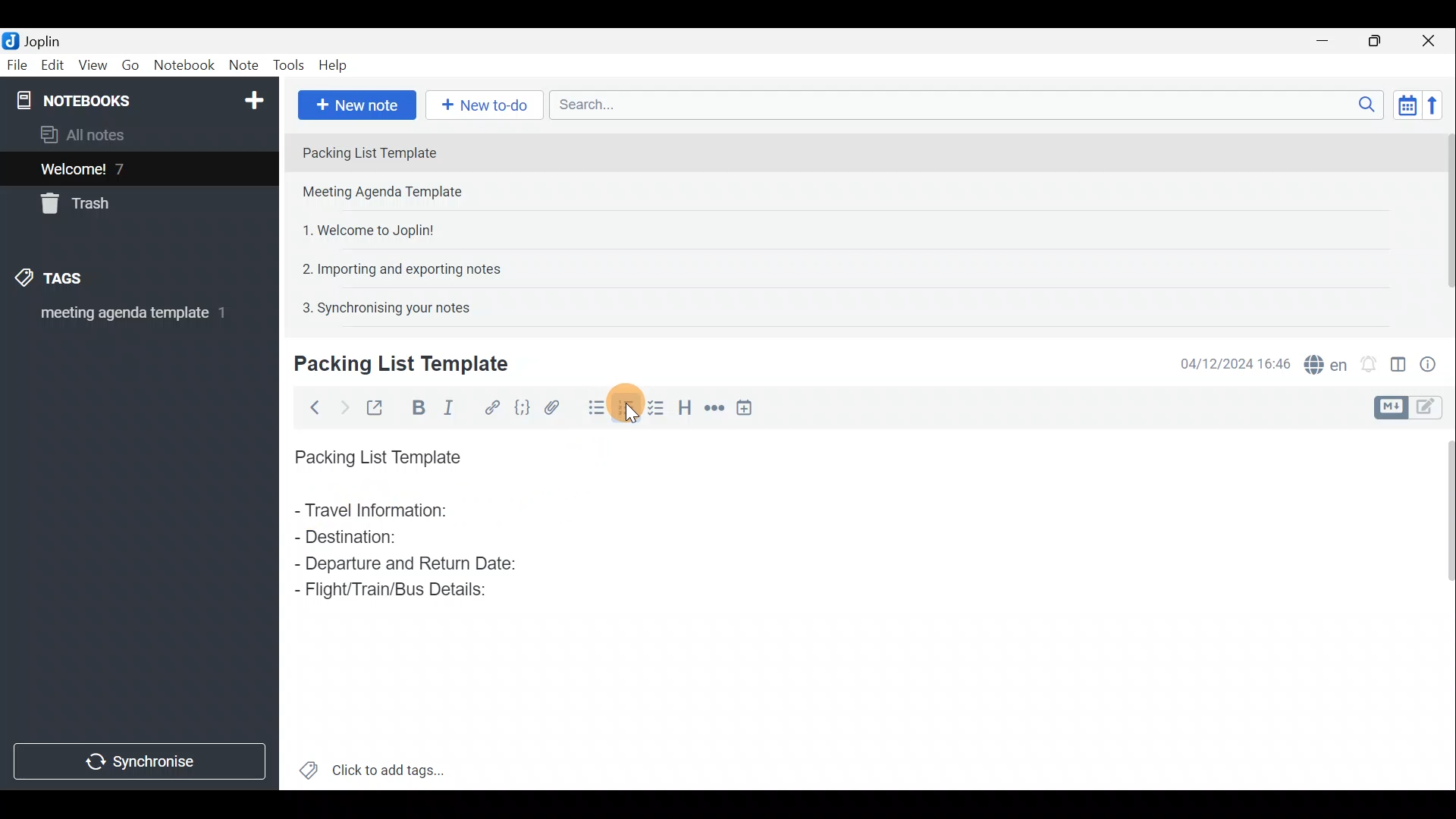 Image resolution: width=1456 pixels, height=819 pixels. What do you see at coordinates (395, 591) in the screenshot?
I see `Flight/Train/Bus Details:` at bounding box center [395, 591].